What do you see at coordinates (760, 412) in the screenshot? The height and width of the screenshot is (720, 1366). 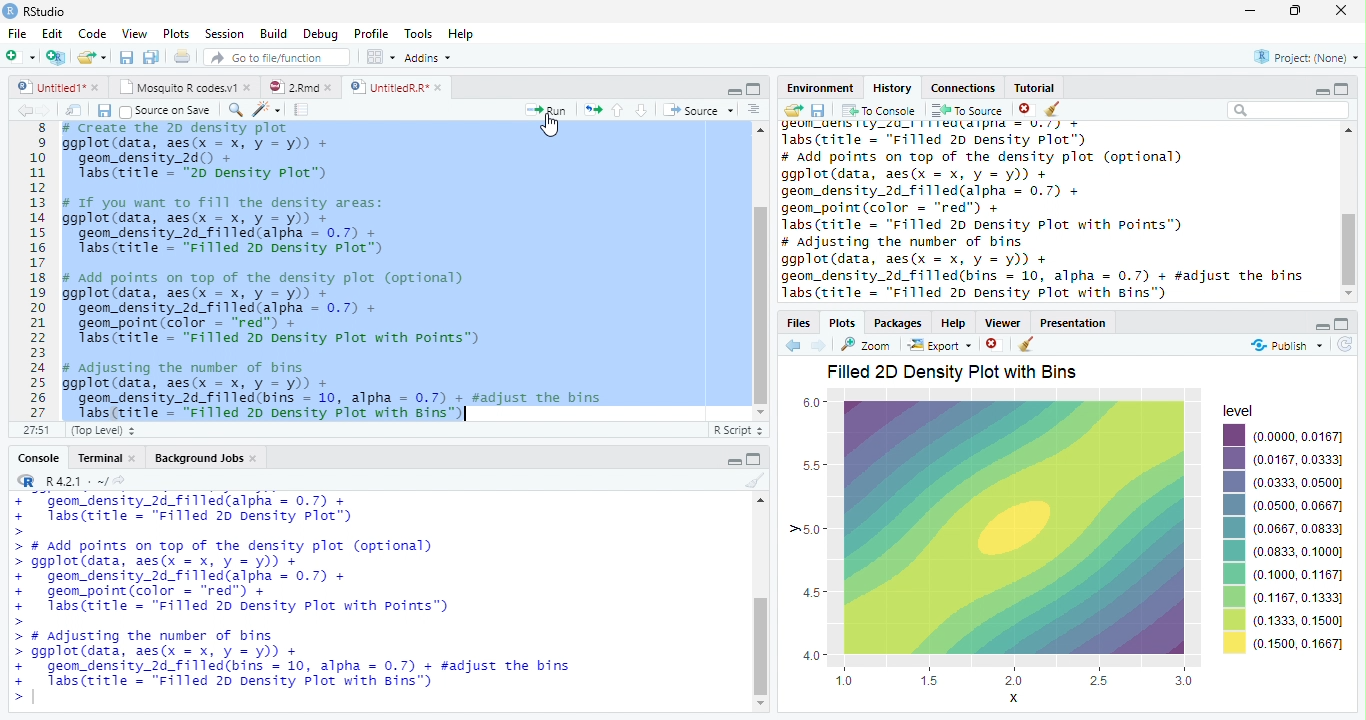 I see `Scrollbar down` at bounding box center [760, 412].